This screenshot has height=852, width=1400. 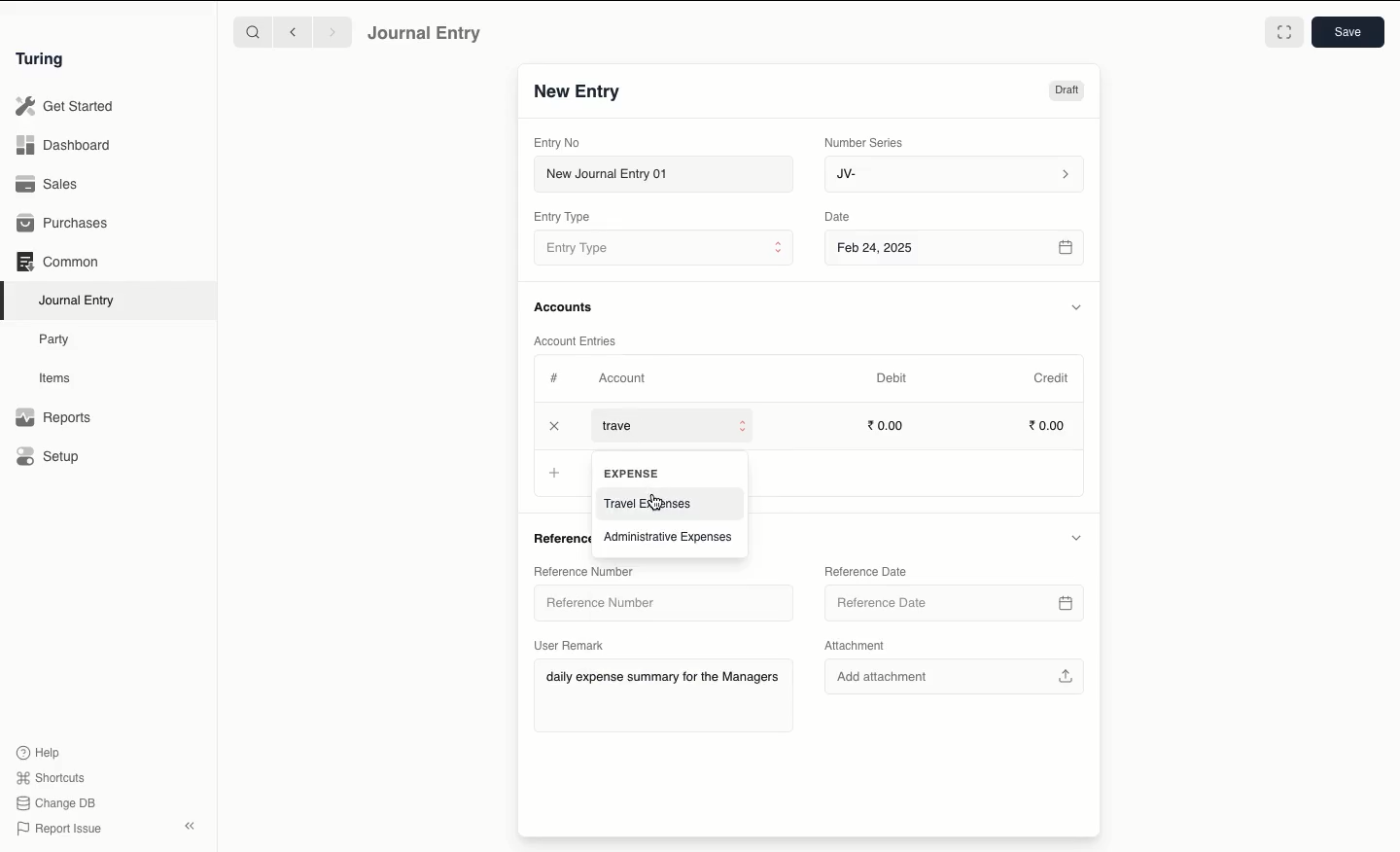 What do you see at coordinates (556, 377) in the screenshot?
I see `Hashtag` at bounding box center [556, 377].